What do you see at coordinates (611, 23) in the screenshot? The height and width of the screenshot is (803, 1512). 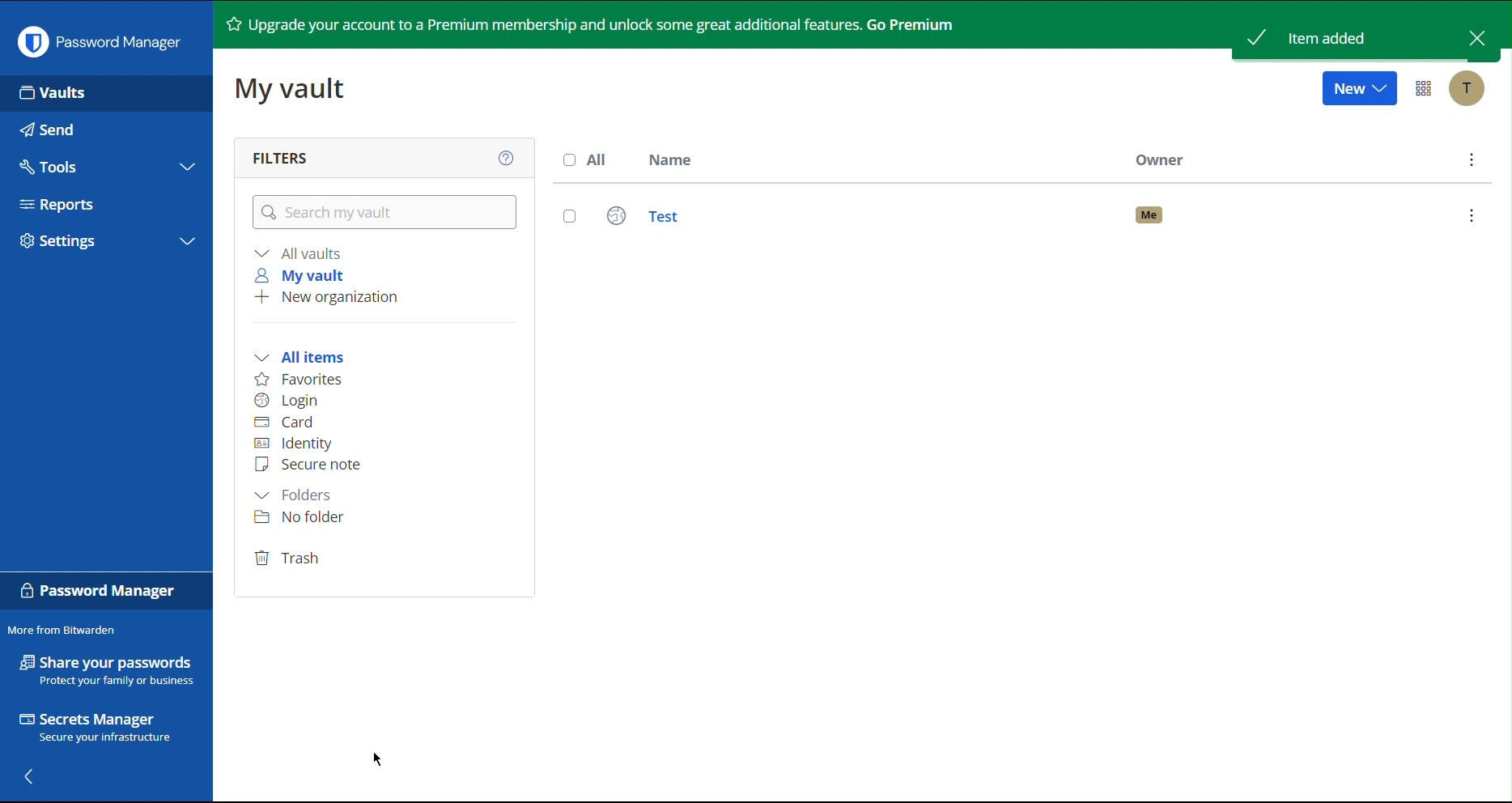 I see `Upgrade your account ` at bounding box center [611, 23].